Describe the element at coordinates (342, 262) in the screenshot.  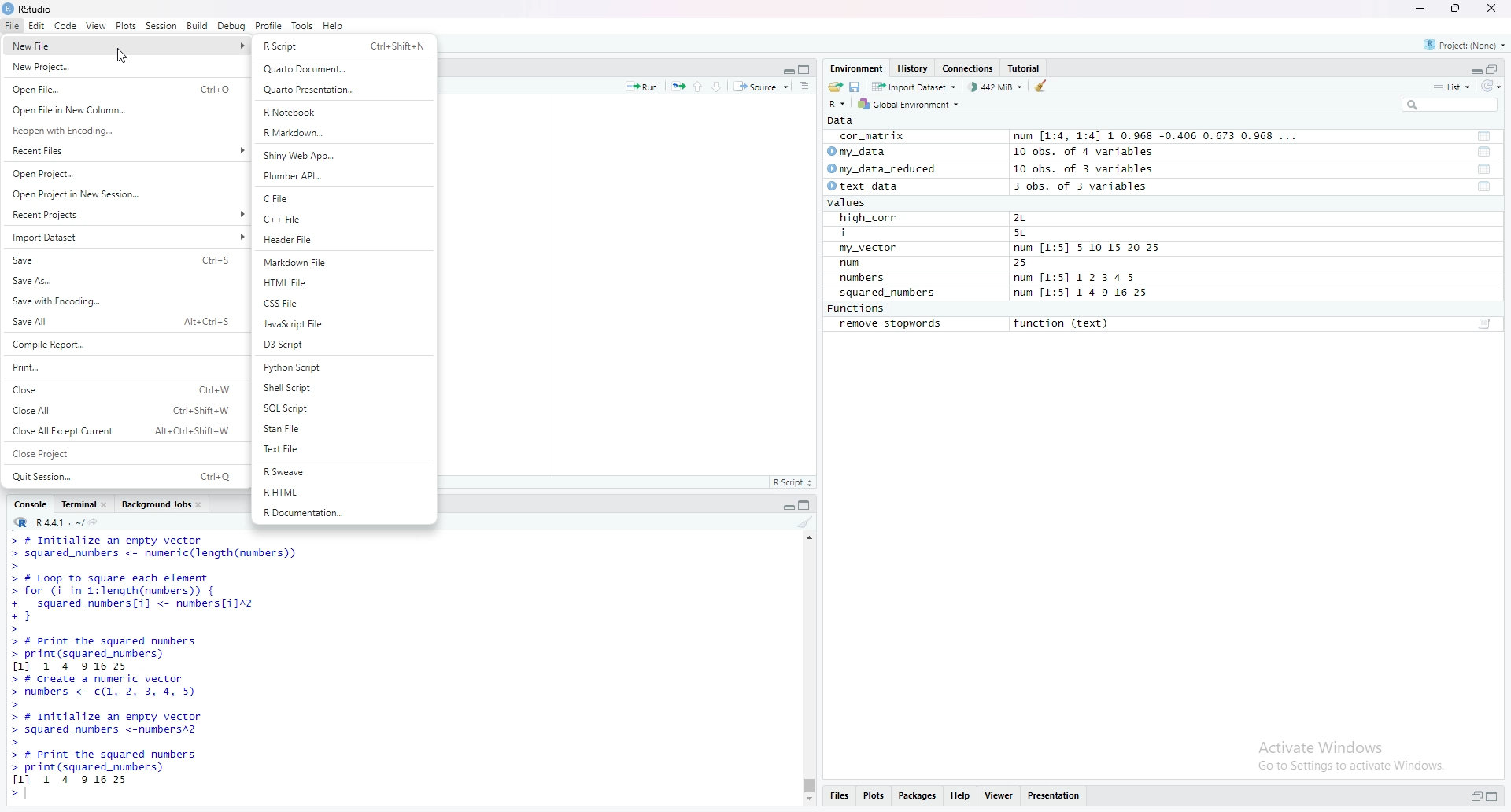
I see `Markdown File` at that location.